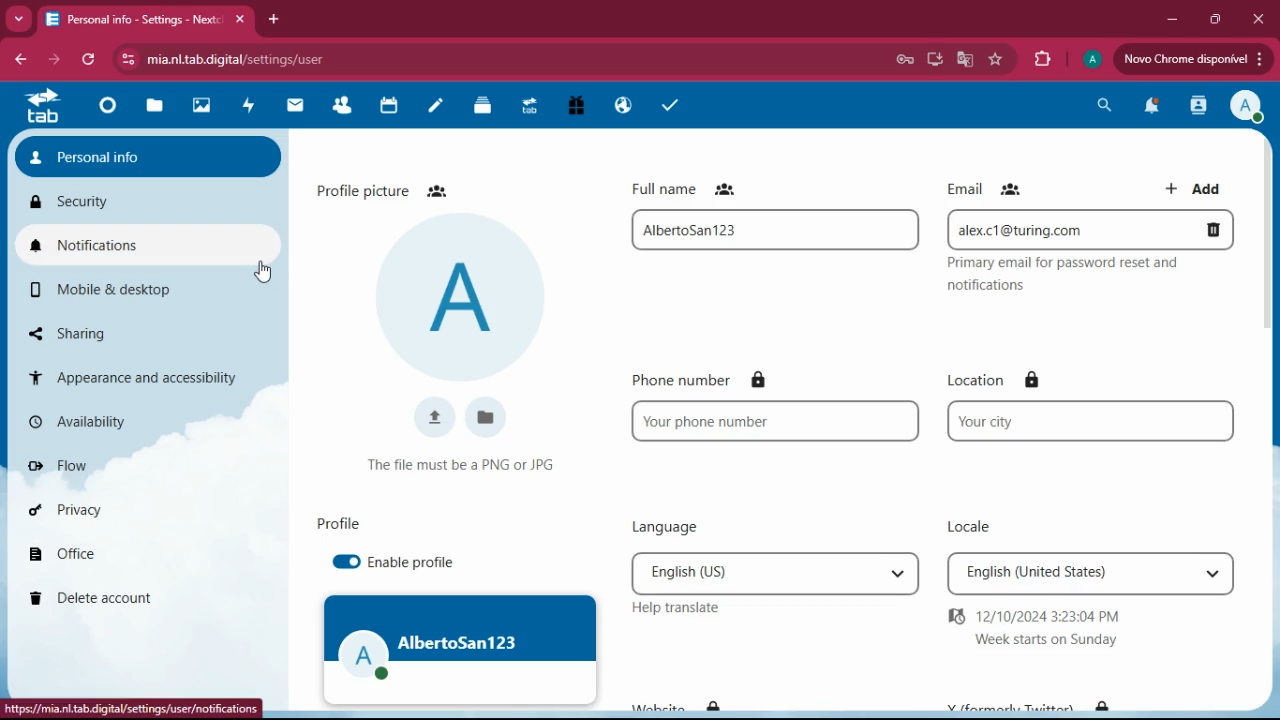  I want to click on activity, so click(245, 107).